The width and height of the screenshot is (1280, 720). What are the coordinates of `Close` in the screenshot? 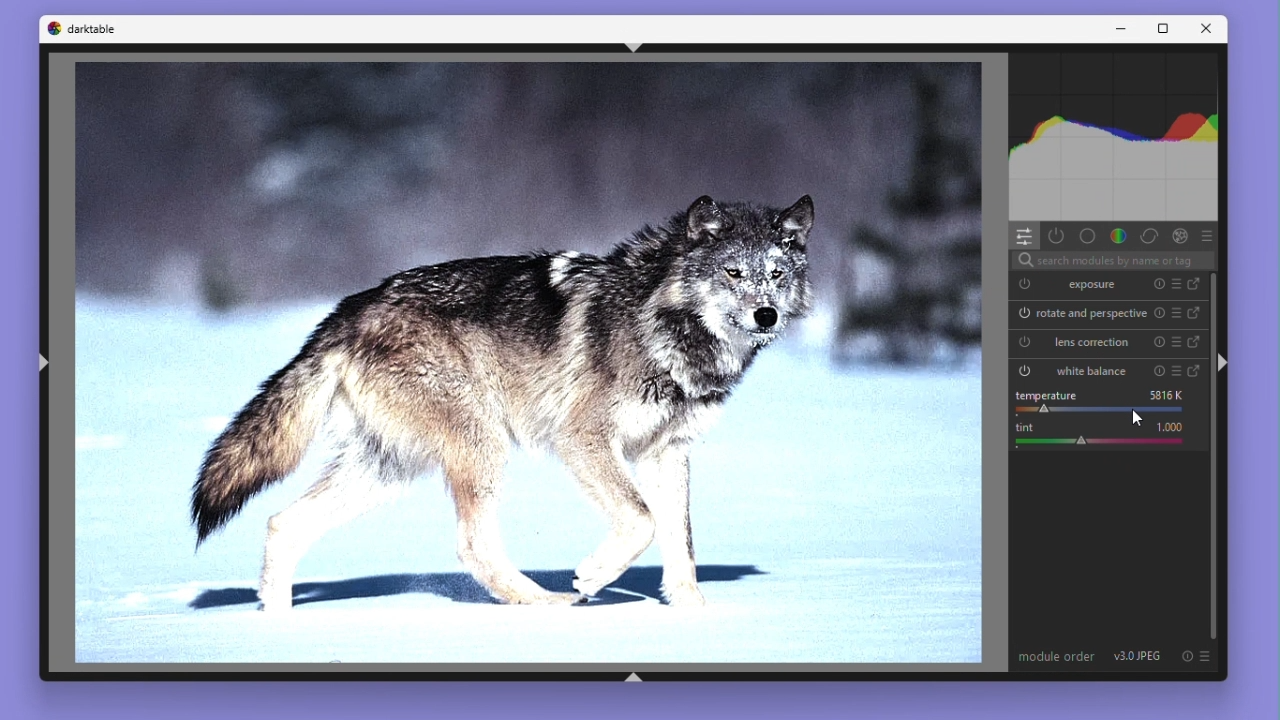 It's located at (1211, 29).